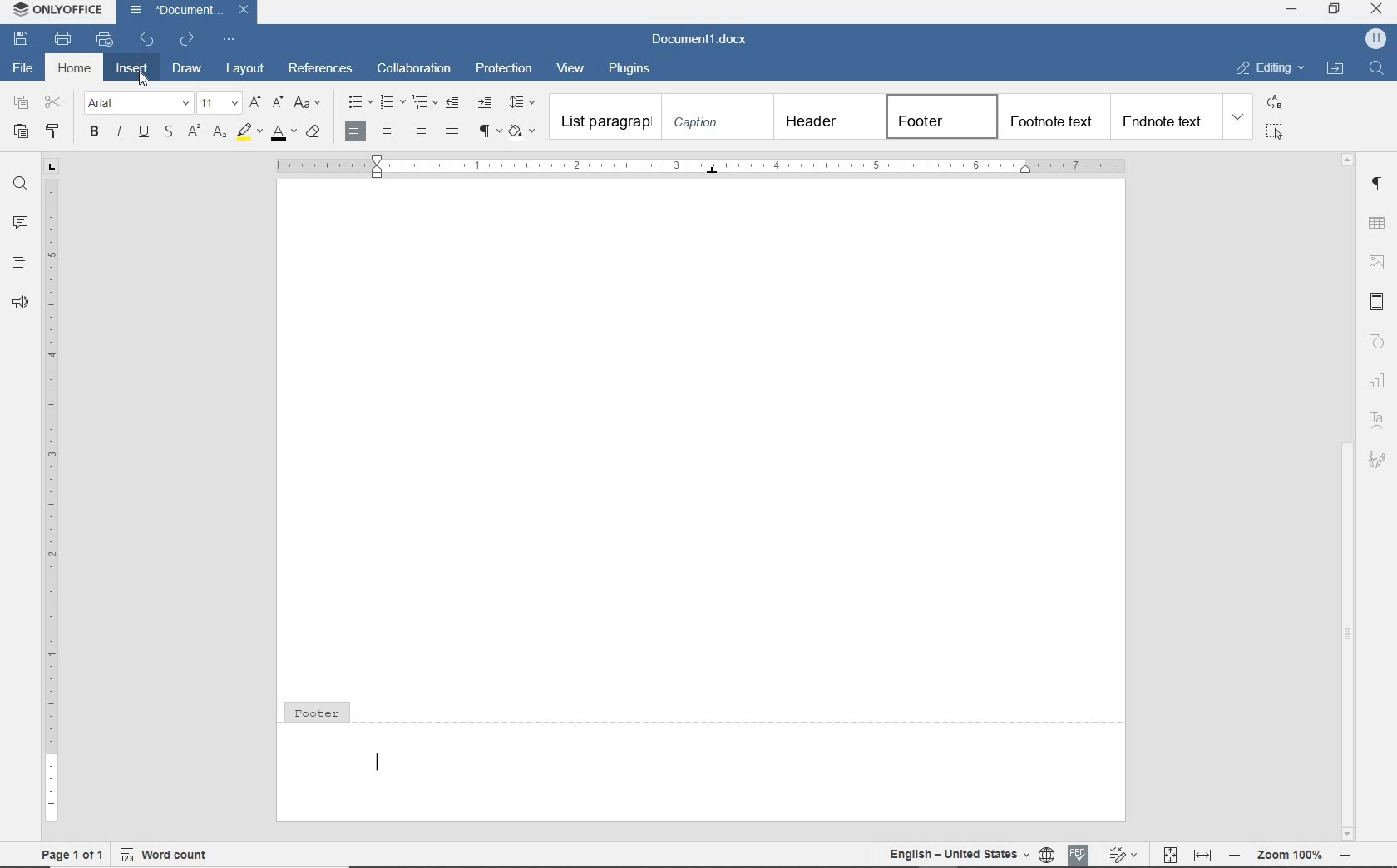  Describe the element at coordinates (166, 856) in the screenshot. I see `Word count` at that location.